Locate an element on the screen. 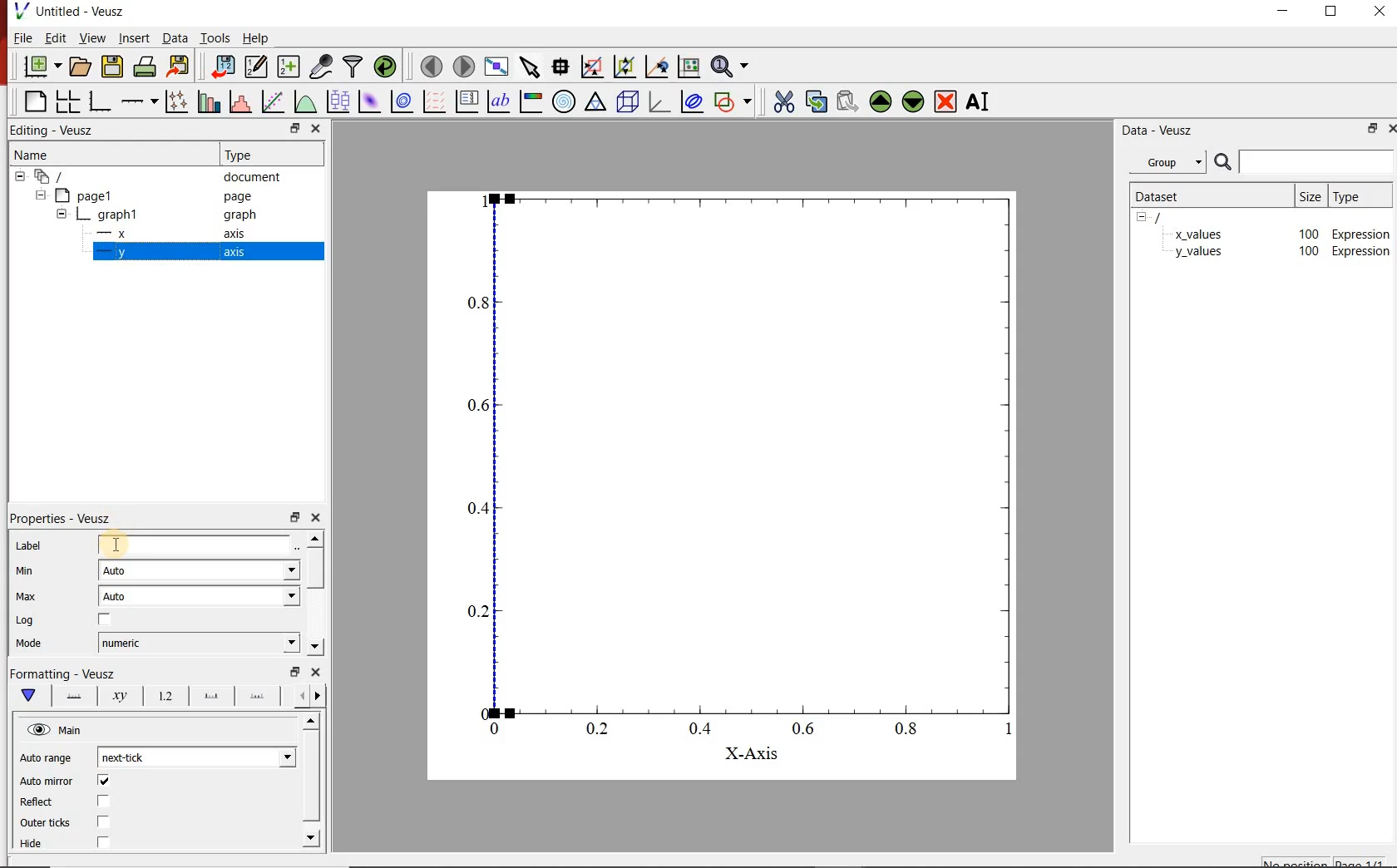  plot key is located at coordinates (468, 101).